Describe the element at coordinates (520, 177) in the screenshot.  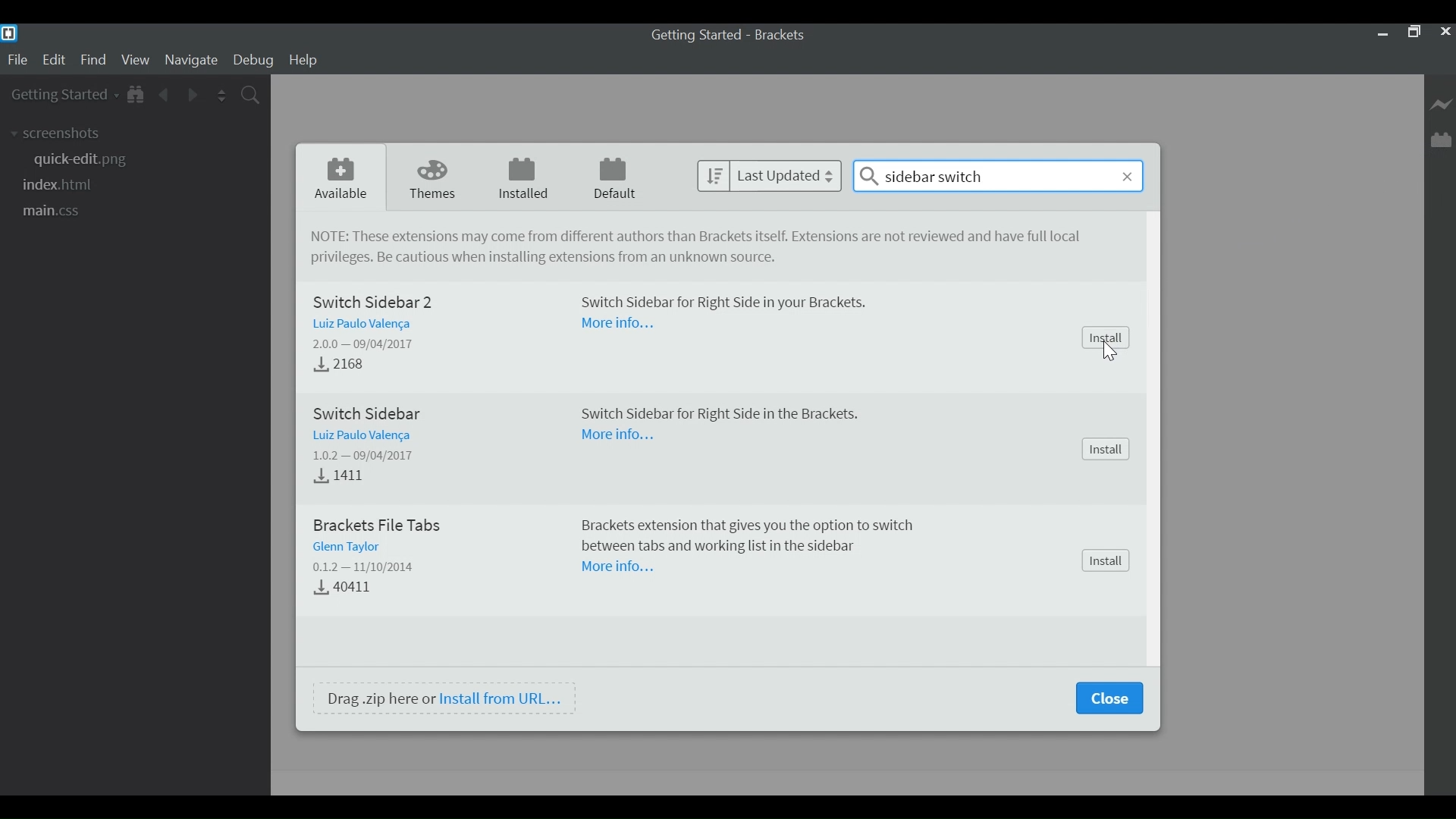
I see `Installed` at that location.